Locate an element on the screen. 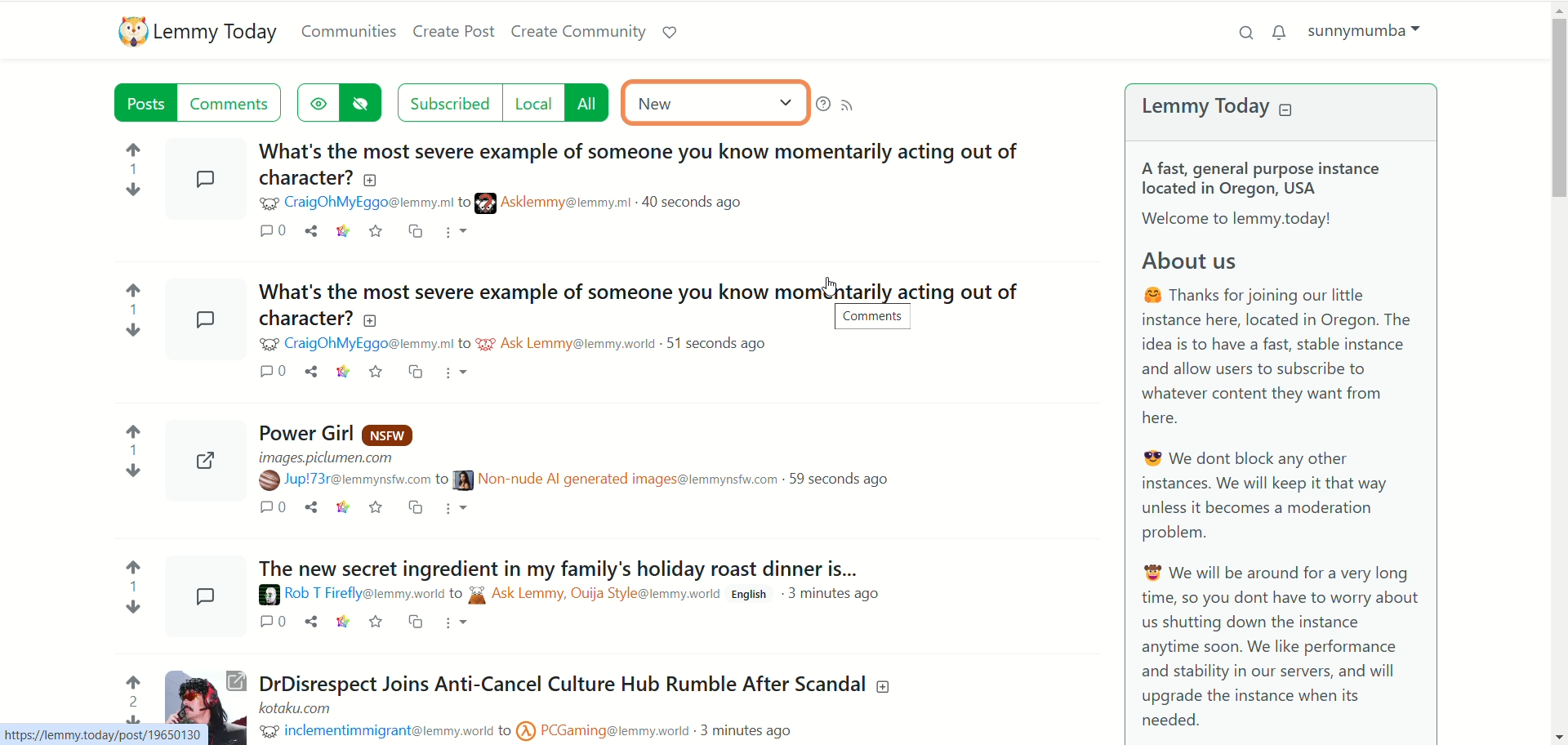 Image resolution: width=1568 pixels, height=745 pixels. cross post is located at coordinates (414, 372).